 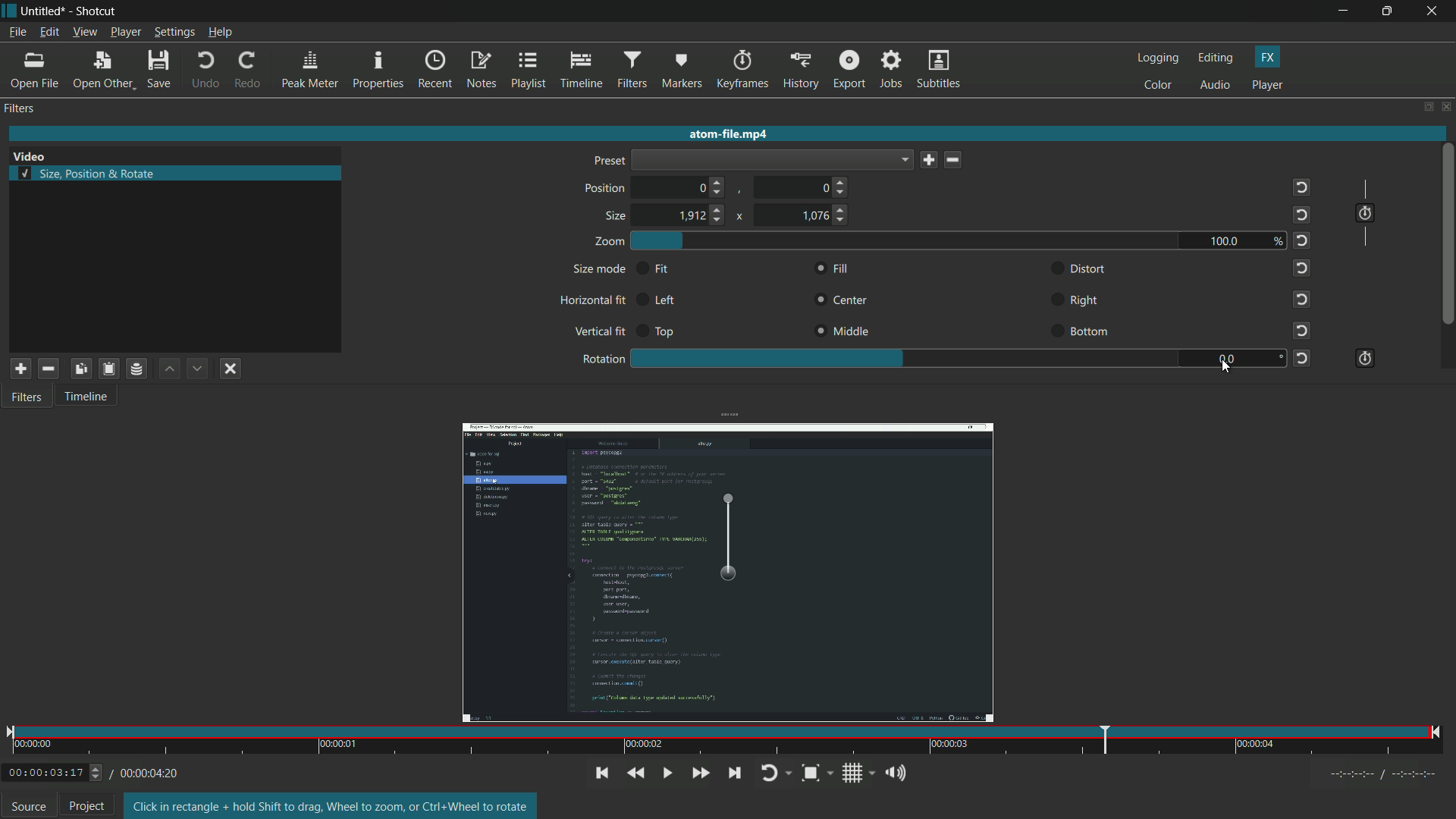 What do you see at coordinates (1302, 241) in the screenshot?
I see `reset to default` at bounding box center [1302, 241].